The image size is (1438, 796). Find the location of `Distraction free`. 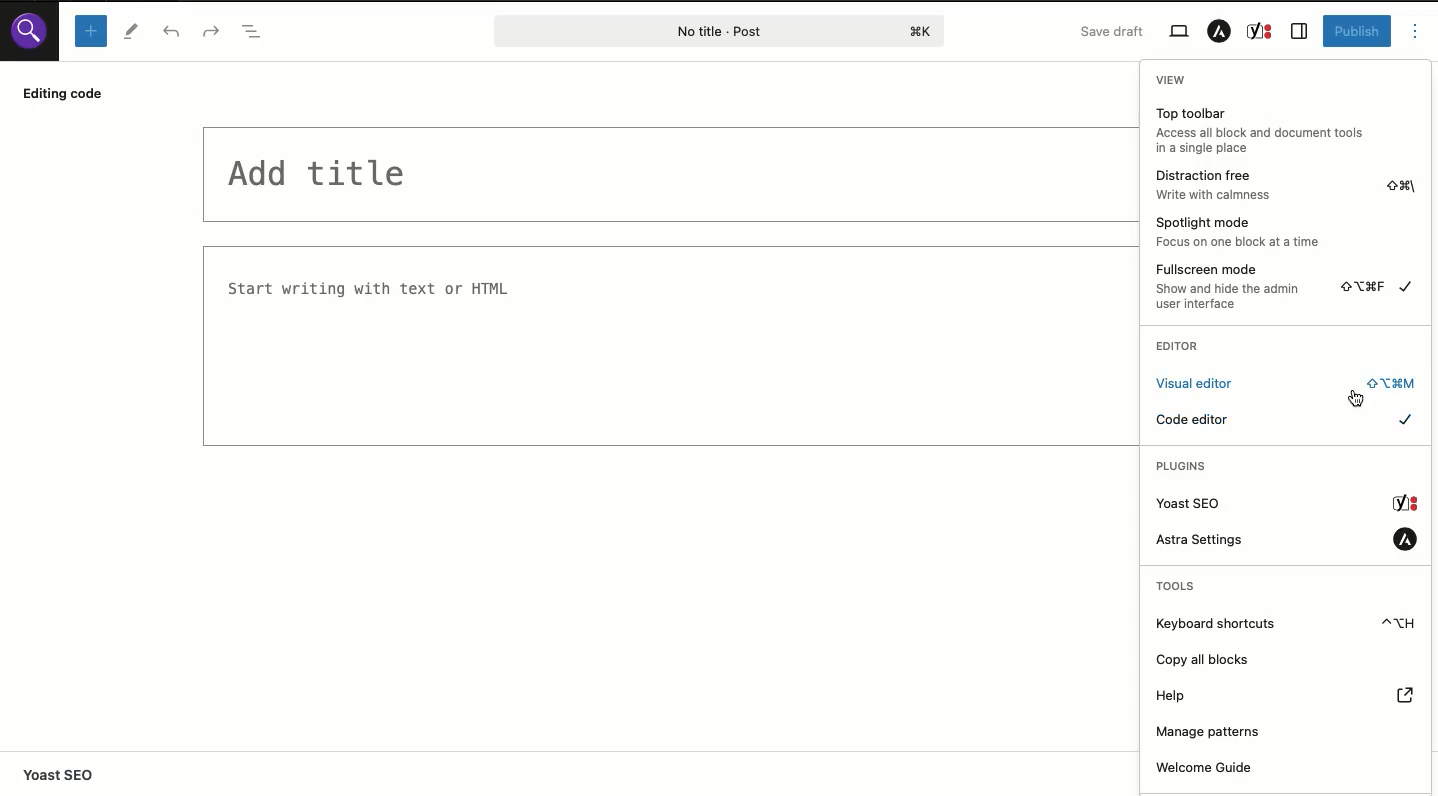

Distraction free is located at coordinates (1289, 184).